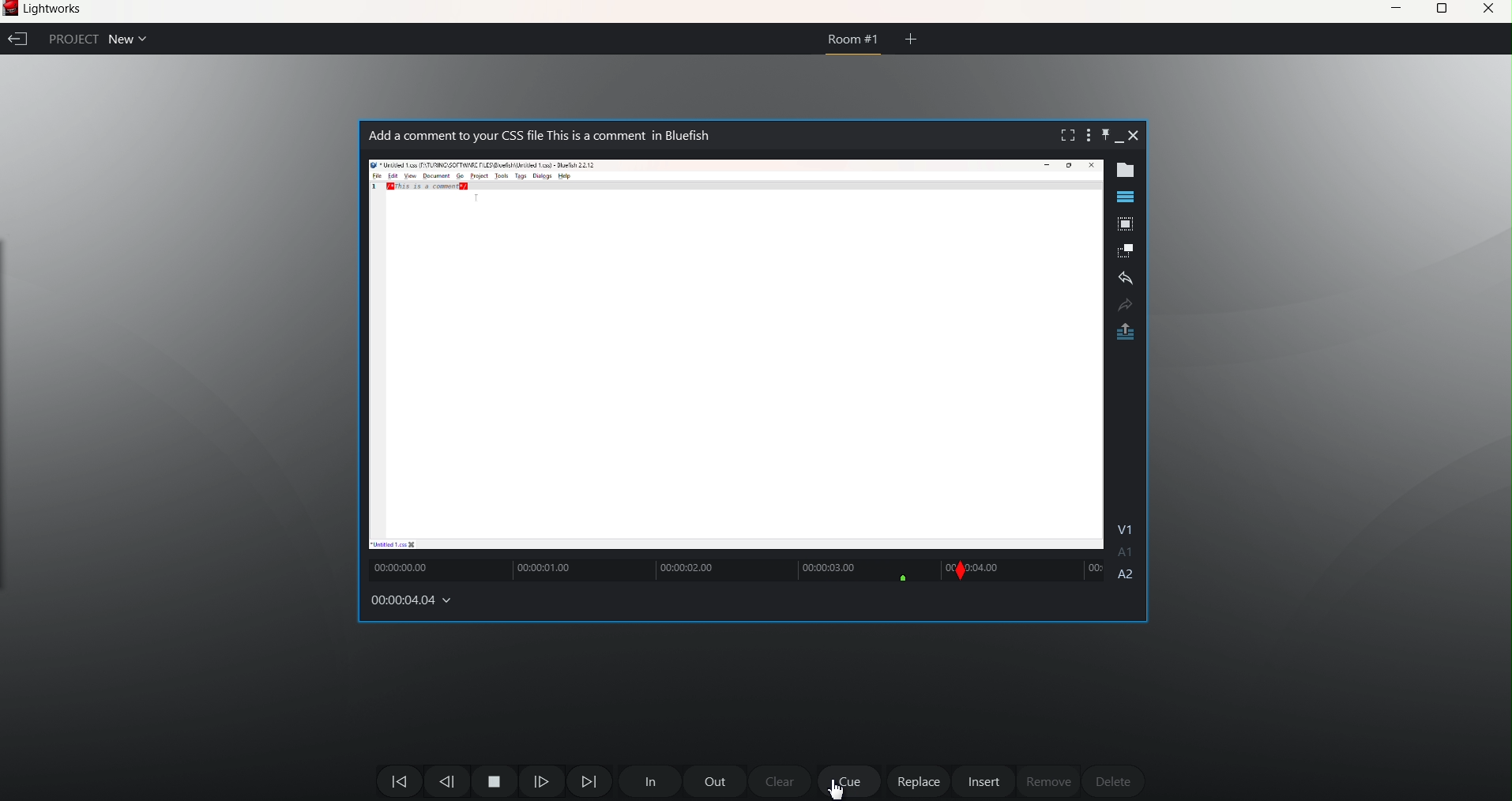 The height and width of the screenshot is (801, 1512). Describe the element at coordinates (782, 782) in the screenshot. I see `clear` at that location.